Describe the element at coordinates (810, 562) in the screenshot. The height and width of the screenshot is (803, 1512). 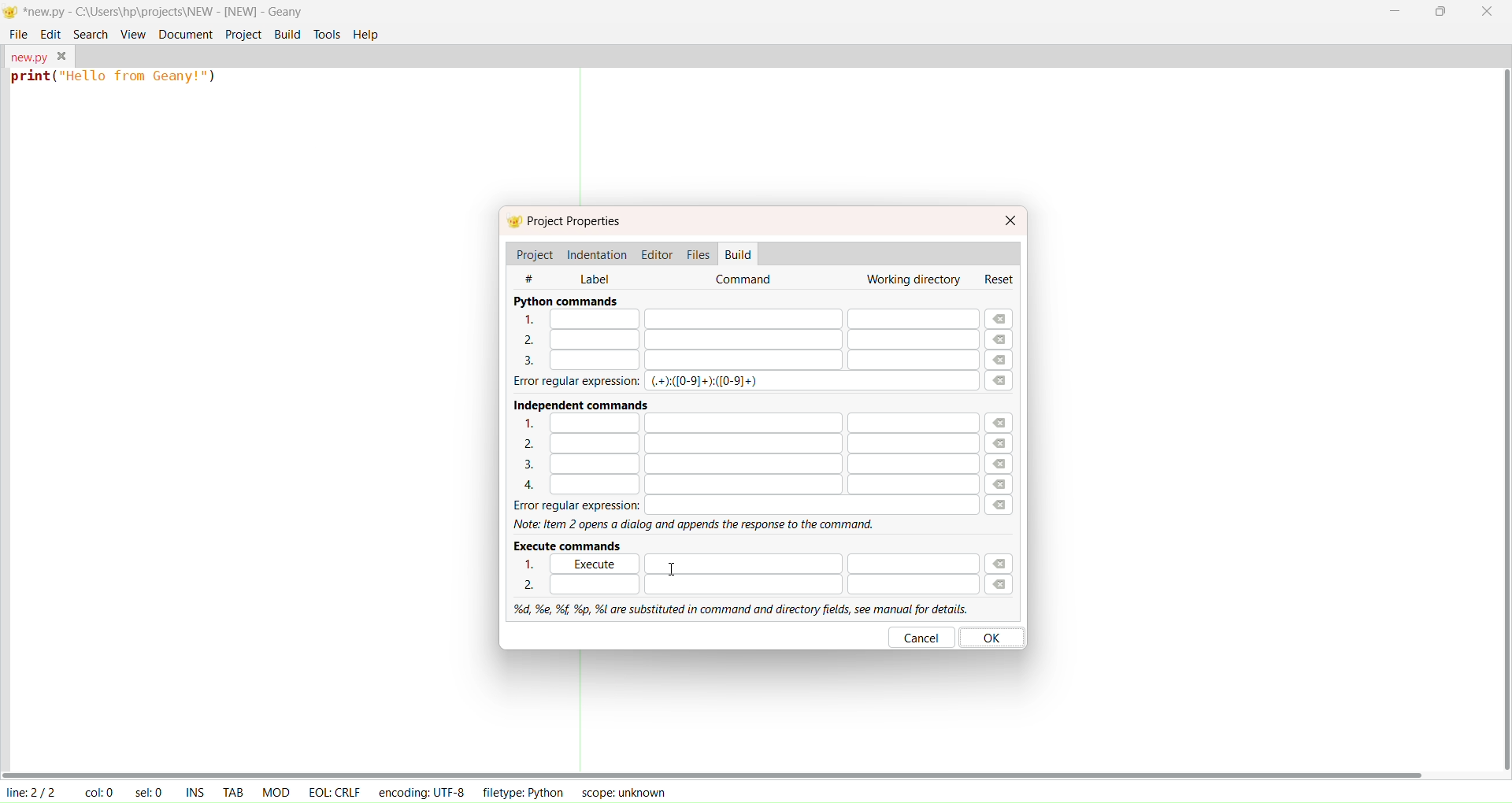
I see `1.` at that location.